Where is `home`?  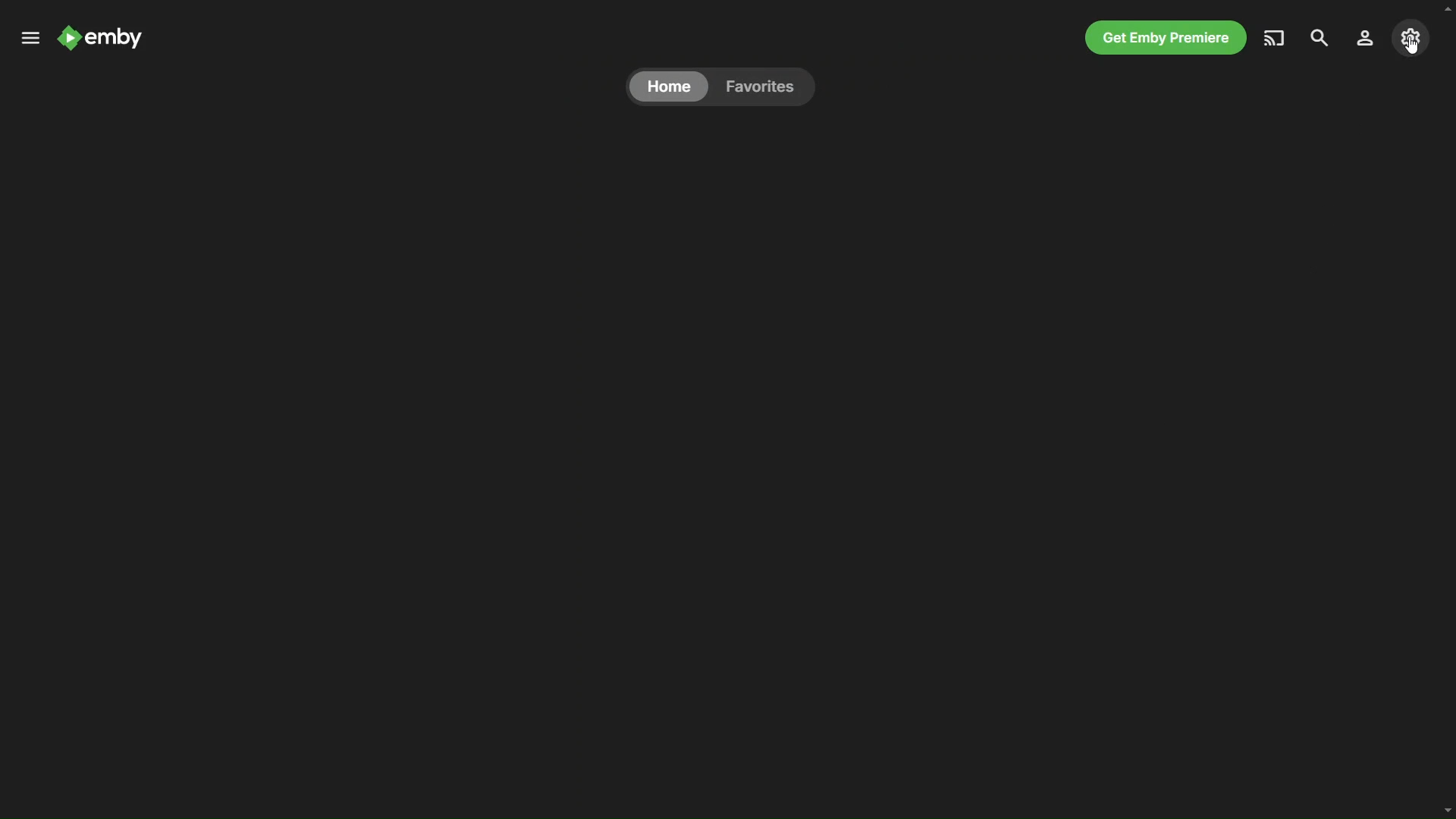 home is located at coordinates (669, 86).